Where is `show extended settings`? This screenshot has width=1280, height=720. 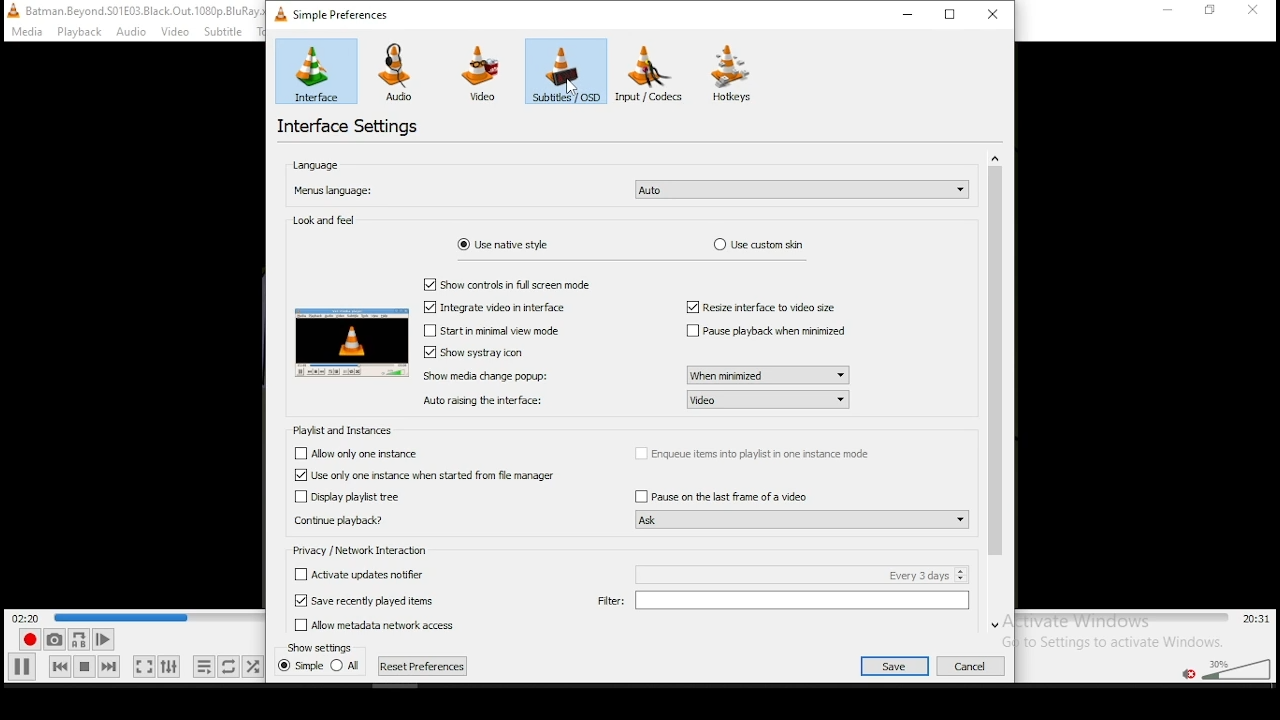 show extended settings is located at coordinates (171, 666).